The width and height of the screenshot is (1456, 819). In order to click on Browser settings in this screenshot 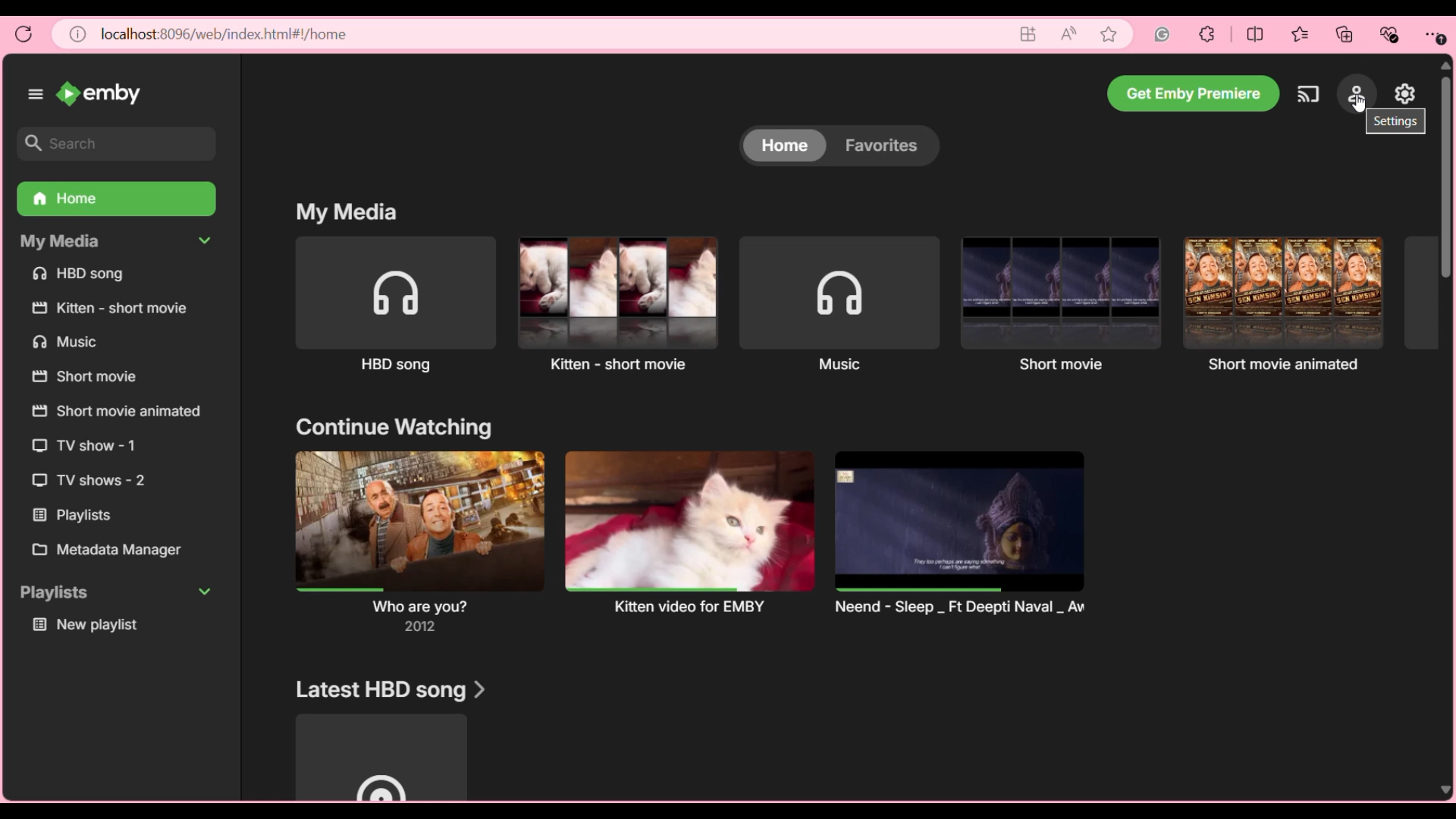, I will do `click(1434, 35)`.